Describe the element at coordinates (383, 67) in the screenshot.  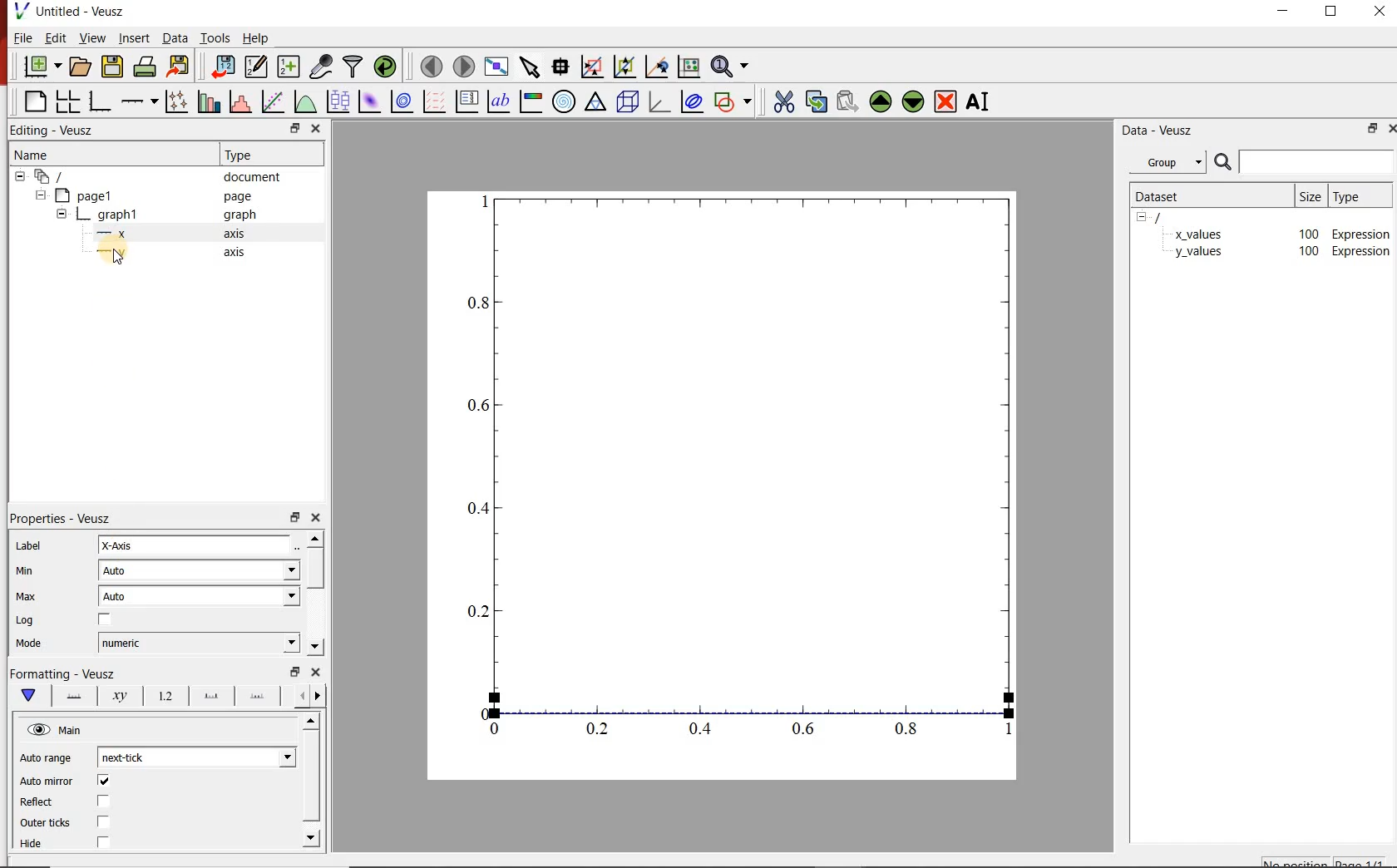
I see `reload linked datasets` at that location.